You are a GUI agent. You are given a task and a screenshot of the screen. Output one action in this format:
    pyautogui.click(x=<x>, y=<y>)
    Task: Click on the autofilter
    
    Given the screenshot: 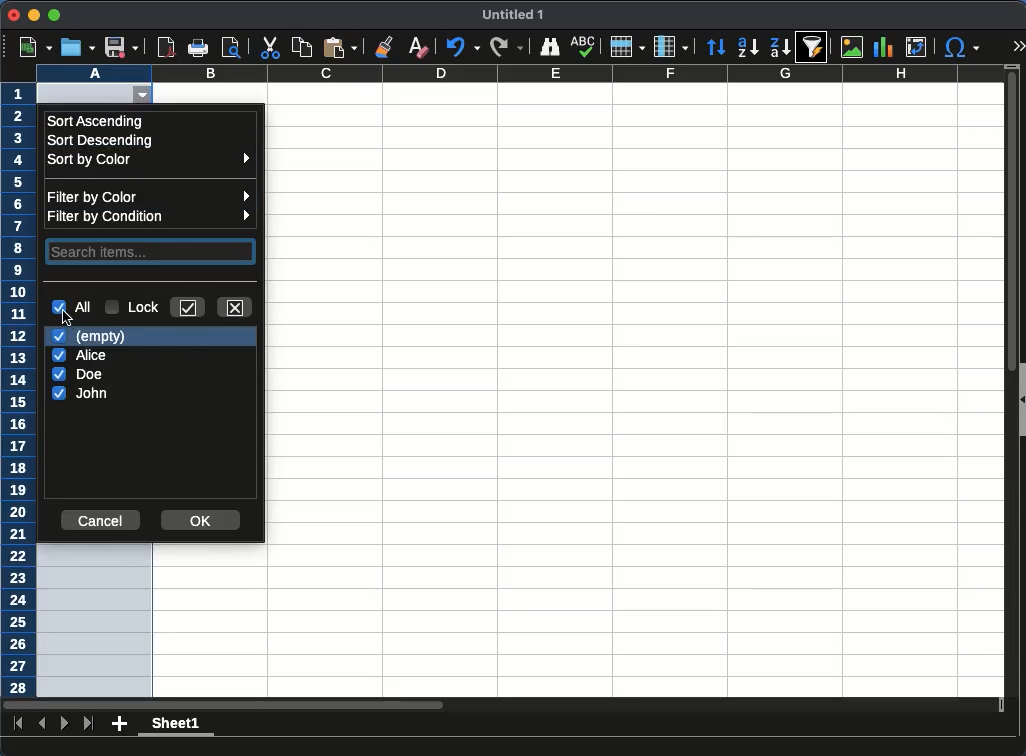 What is the action you would take?
    pyautogui.click(x=147, y=96)
    